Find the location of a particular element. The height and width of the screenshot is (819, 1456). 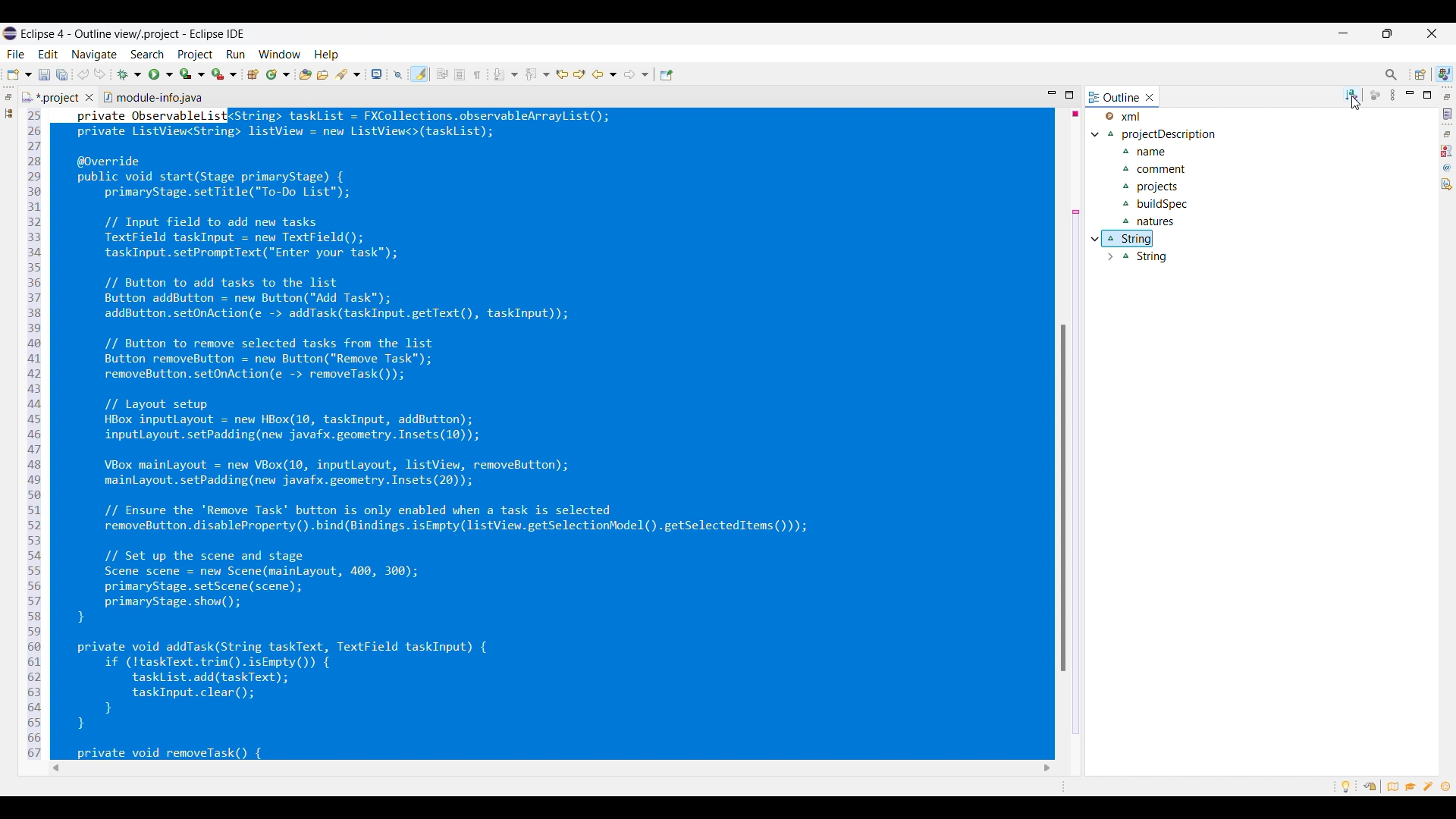

line number is located at coordinates (33, 436).